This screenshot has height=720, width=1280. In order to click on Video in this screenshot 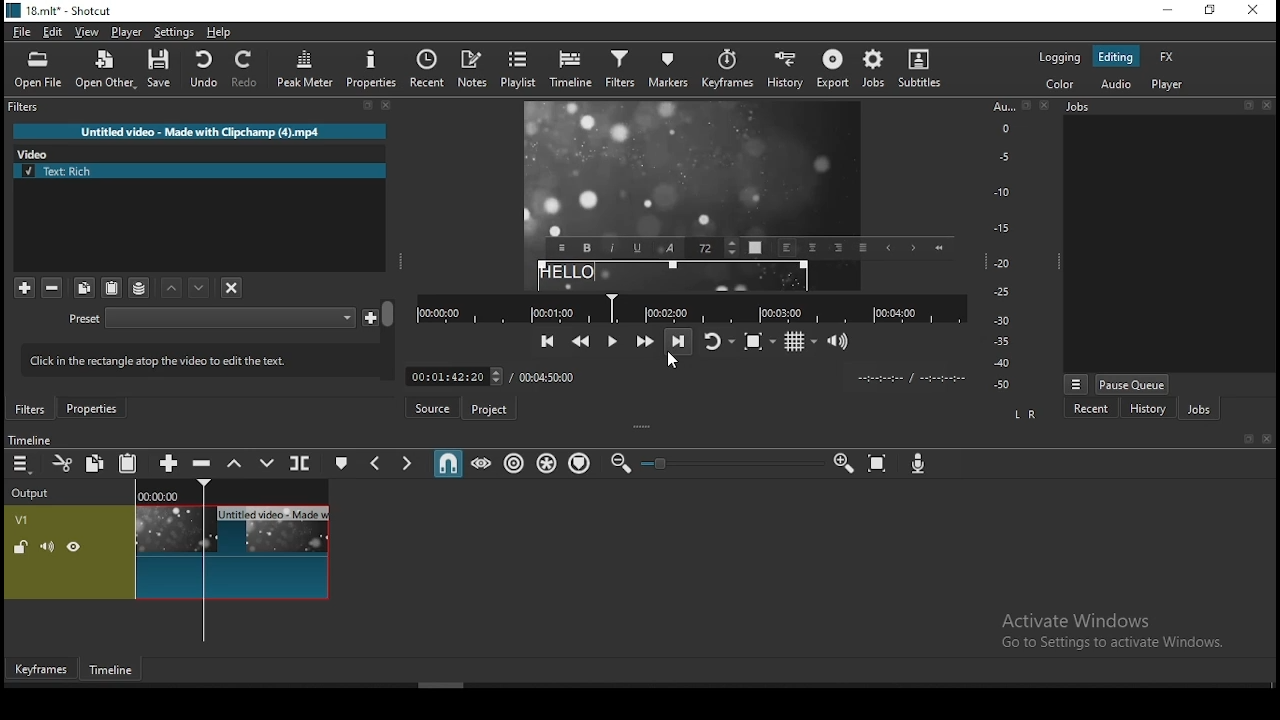, I will do `click(38, 152)`.